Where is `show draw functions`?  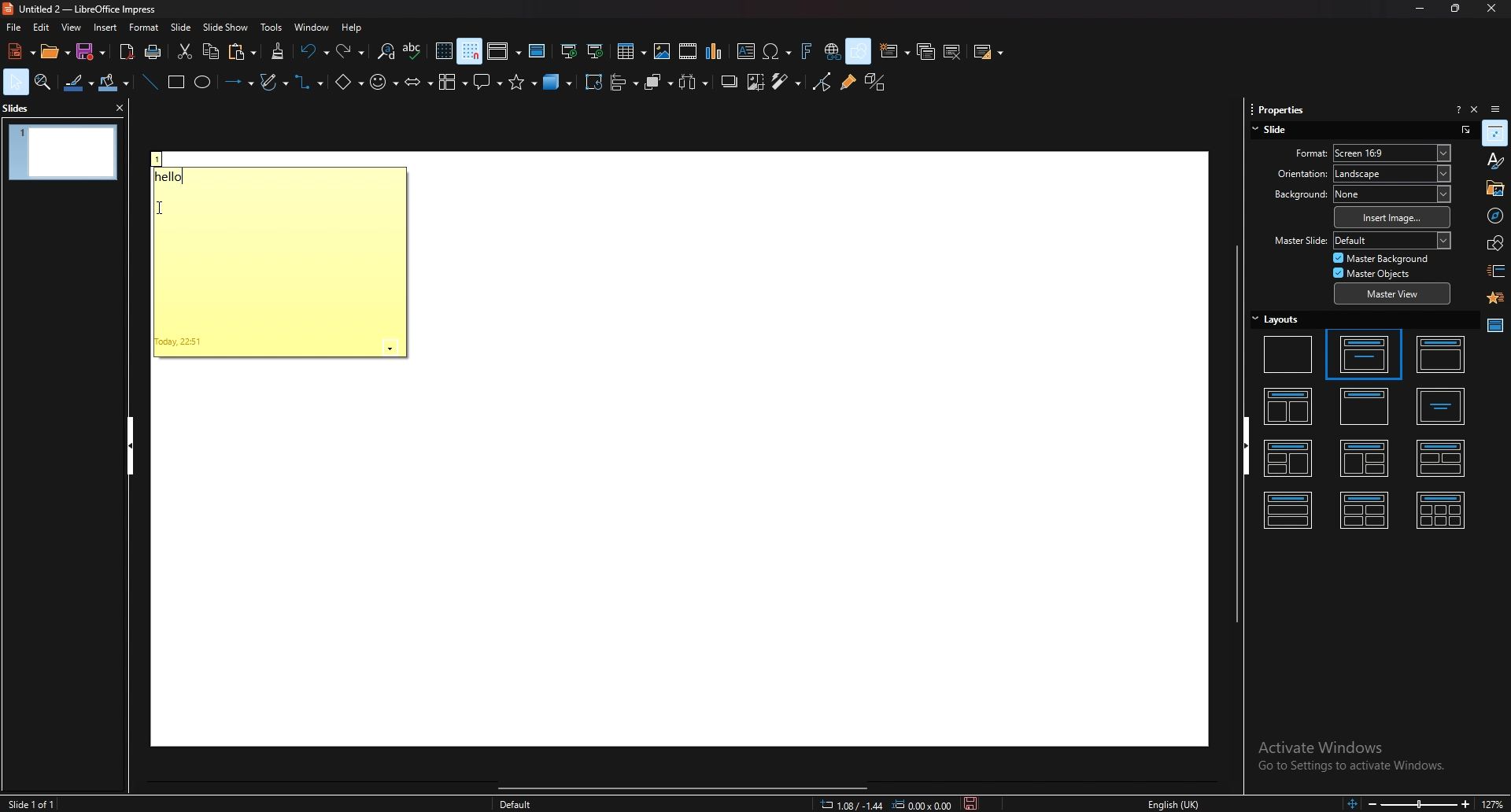 show draw functions is located at coordinates (858, 52).